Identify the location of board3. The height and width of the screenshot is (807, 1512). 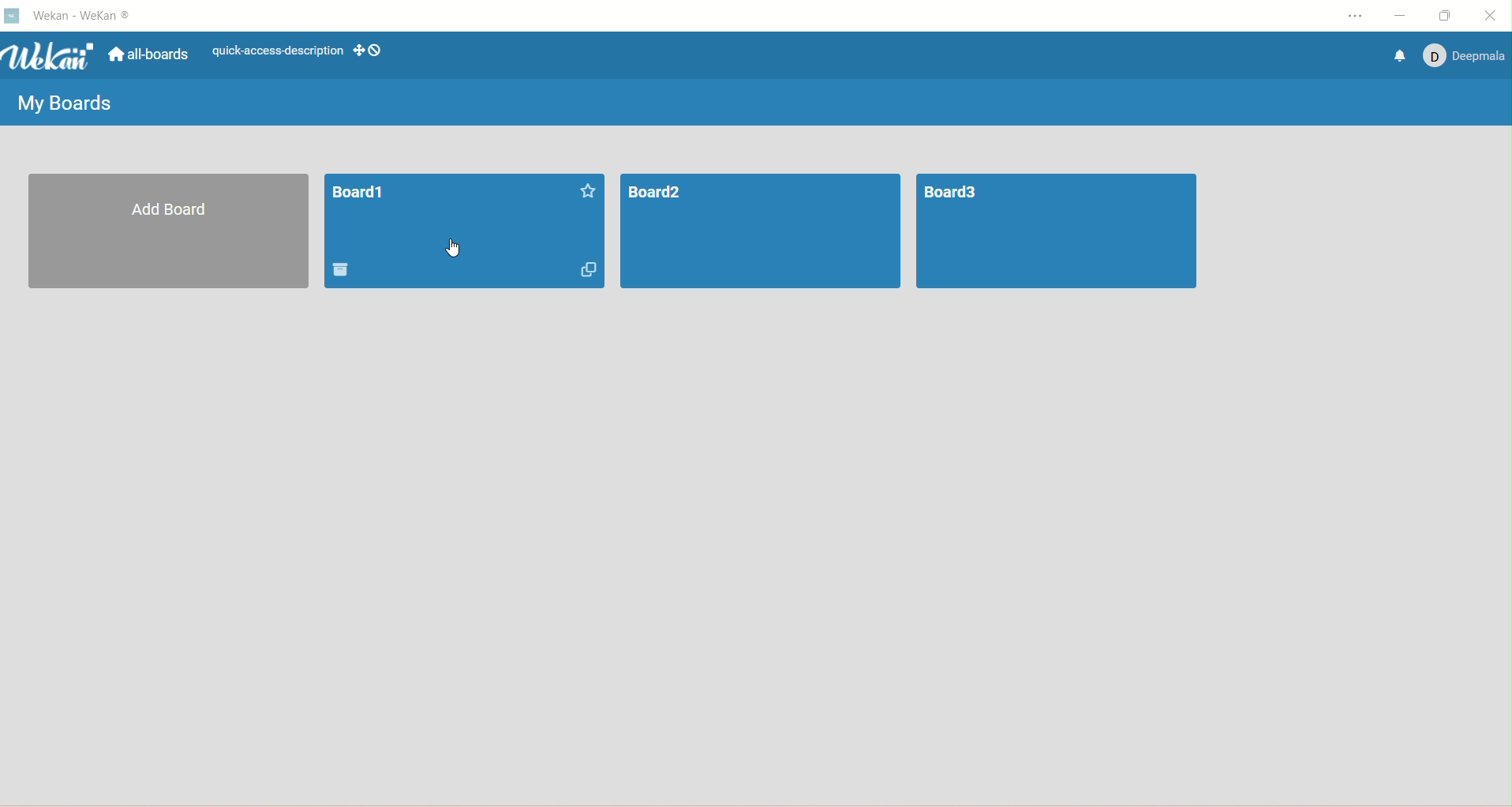
(1059, 232).